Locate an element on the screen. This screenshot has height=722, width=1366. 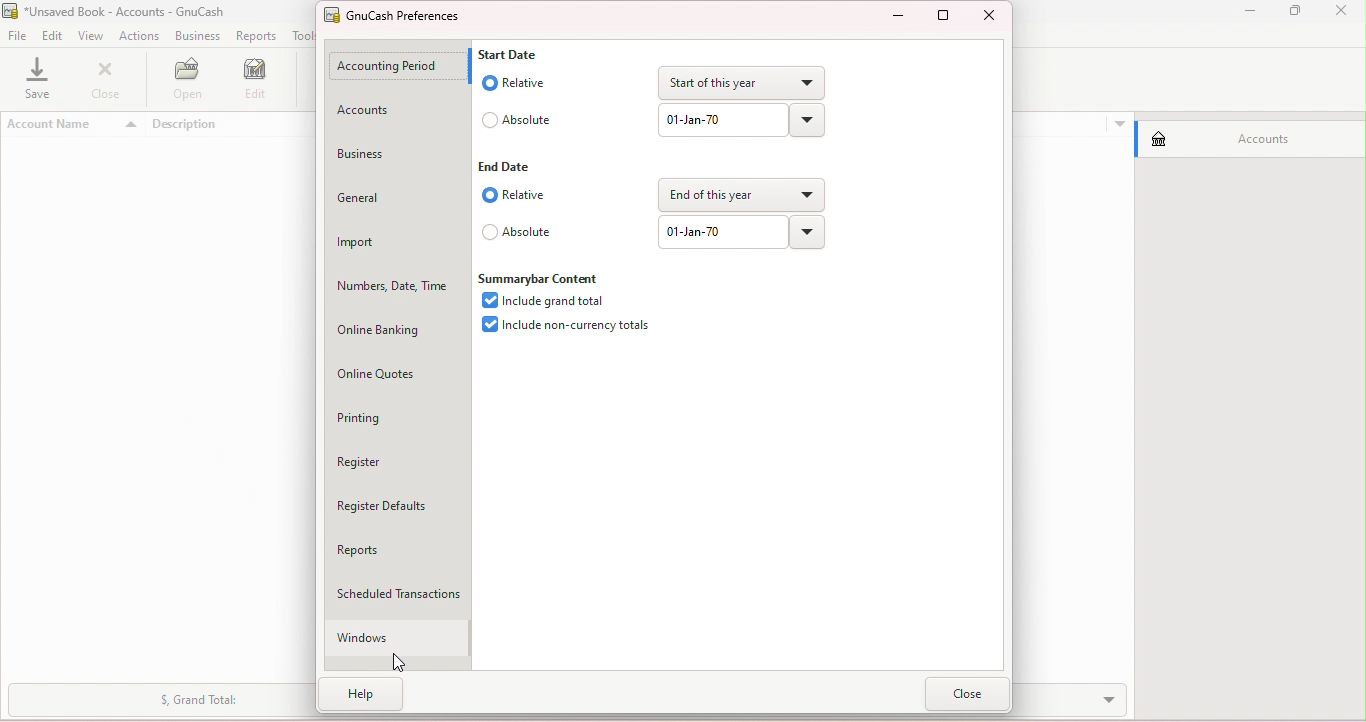
Open is located at coordinates (189, 82).